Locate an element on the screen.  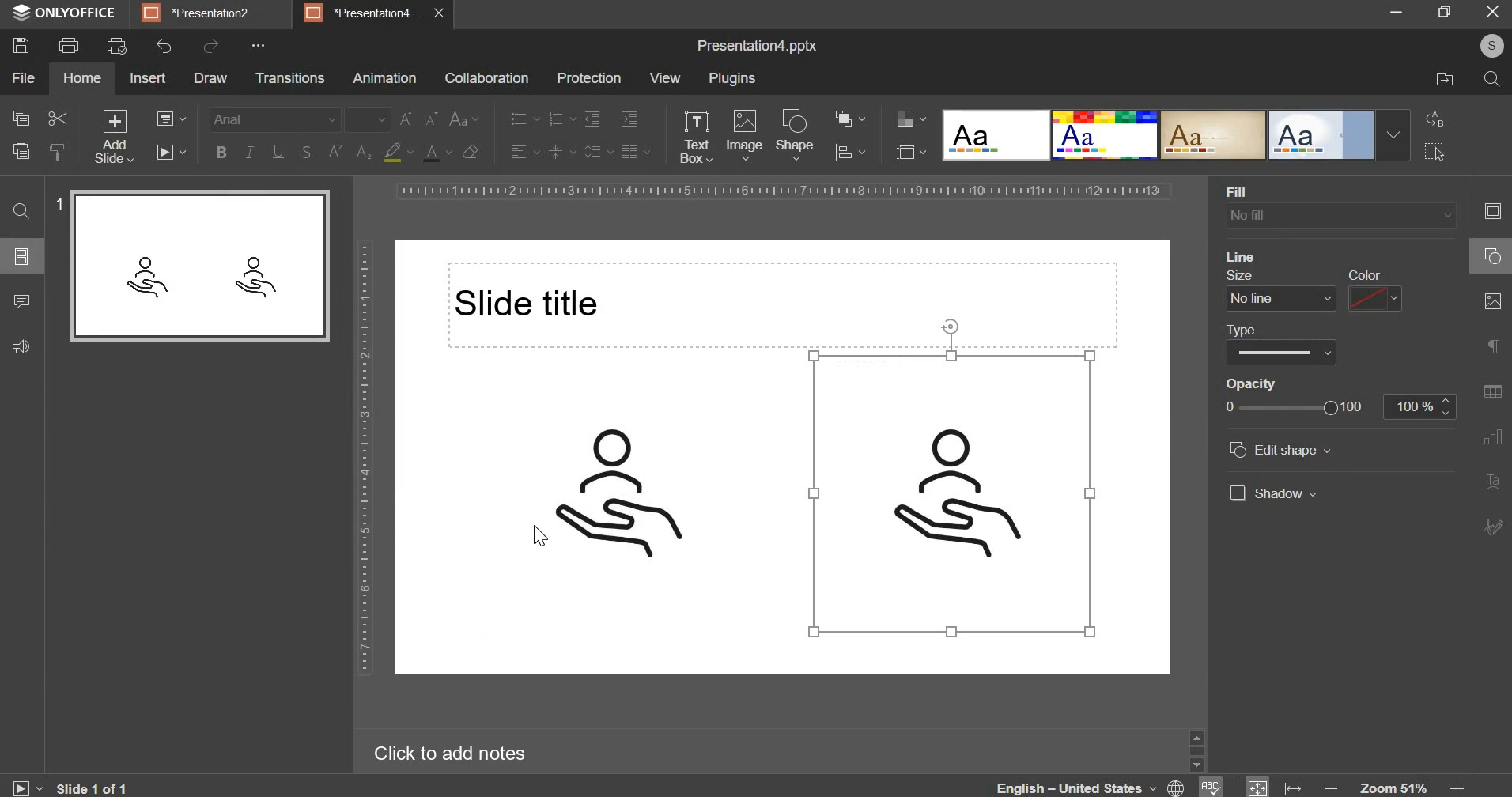
replace is located at coordinates (1435, 119).